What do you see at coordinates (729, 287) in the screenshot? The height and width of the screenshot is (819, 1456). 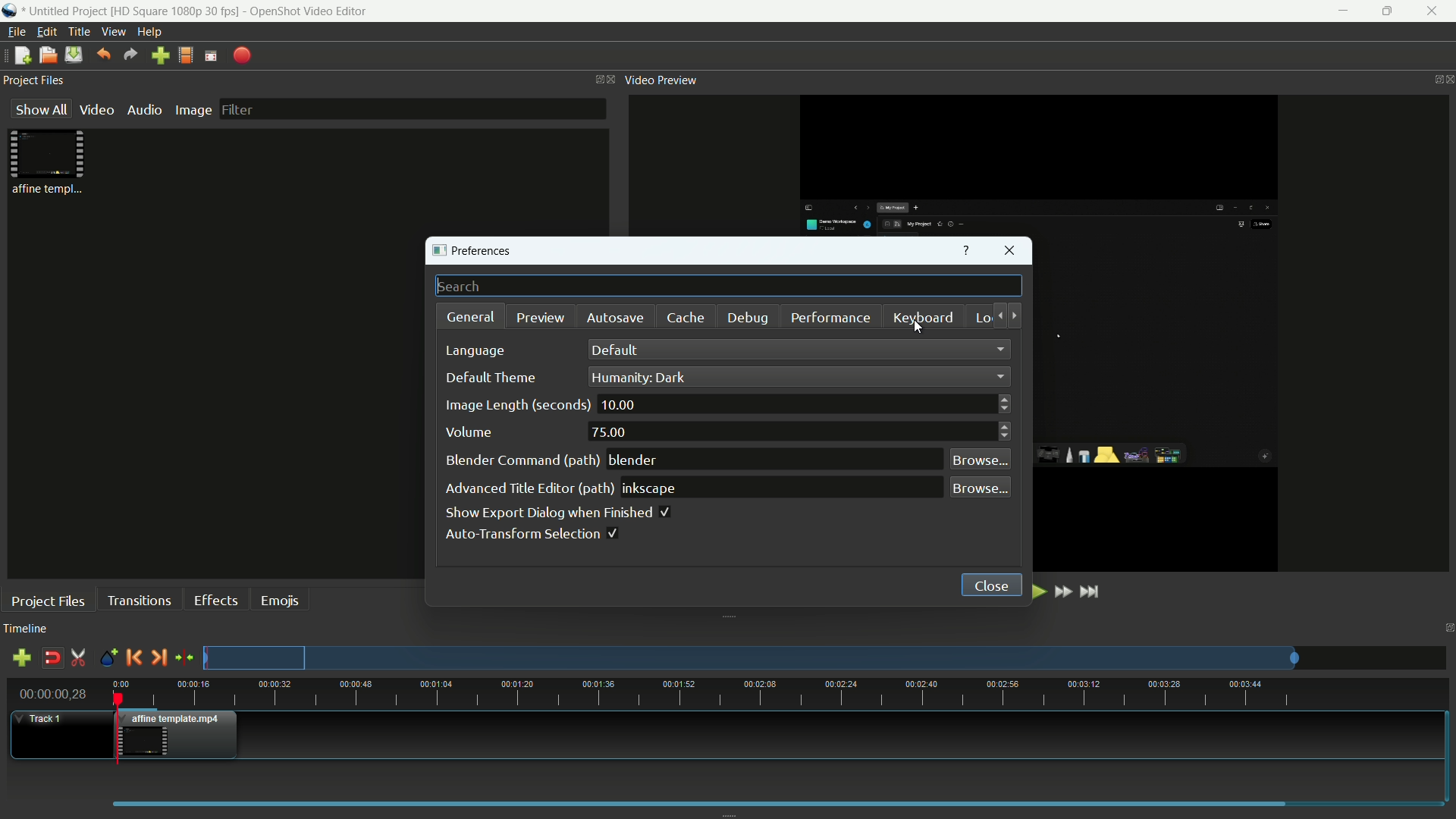 I see `search bar` at bounding box center [729, 287].